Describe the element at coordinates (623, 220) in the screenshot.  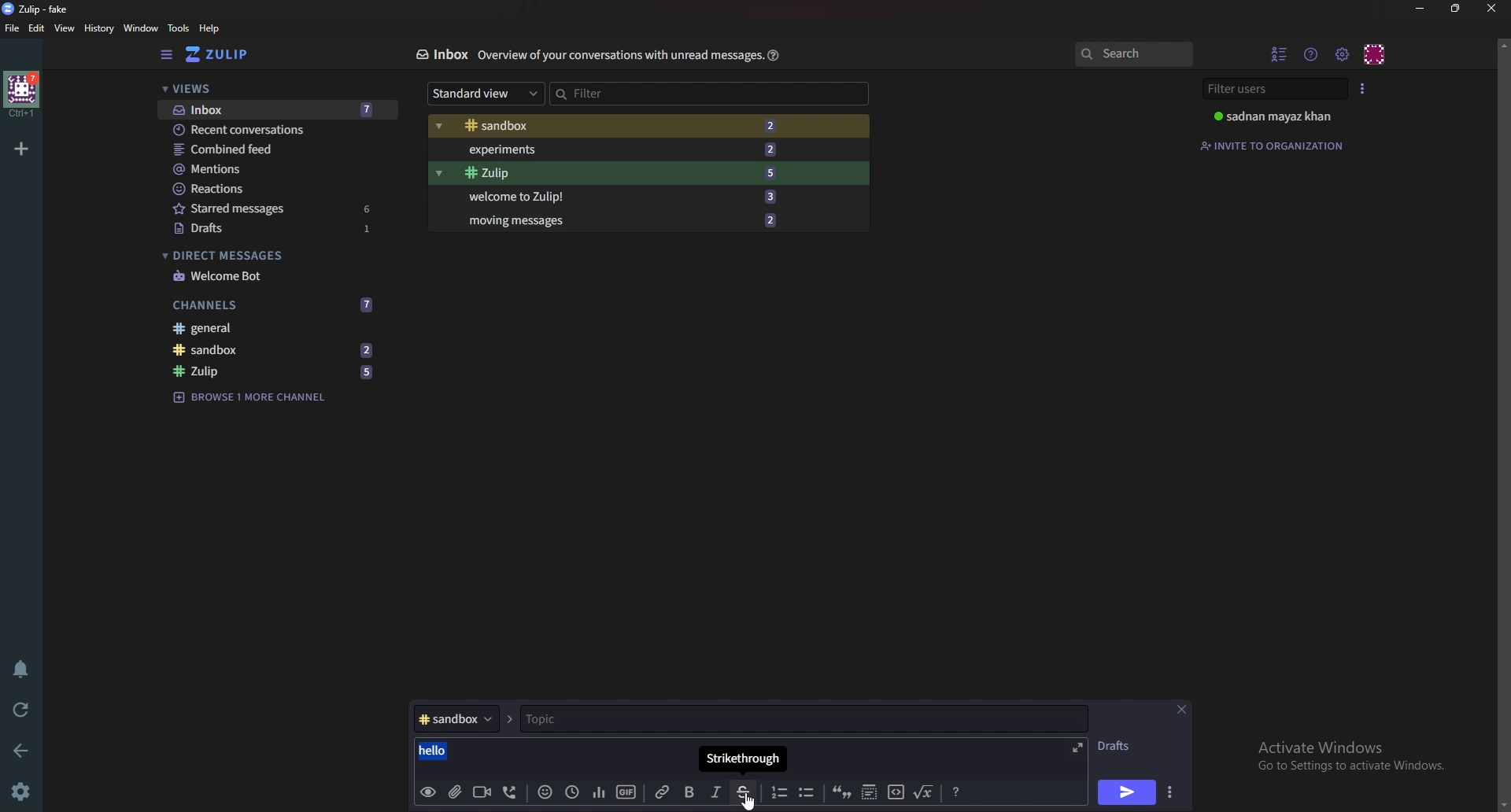
I see `Moving messages` at that location.